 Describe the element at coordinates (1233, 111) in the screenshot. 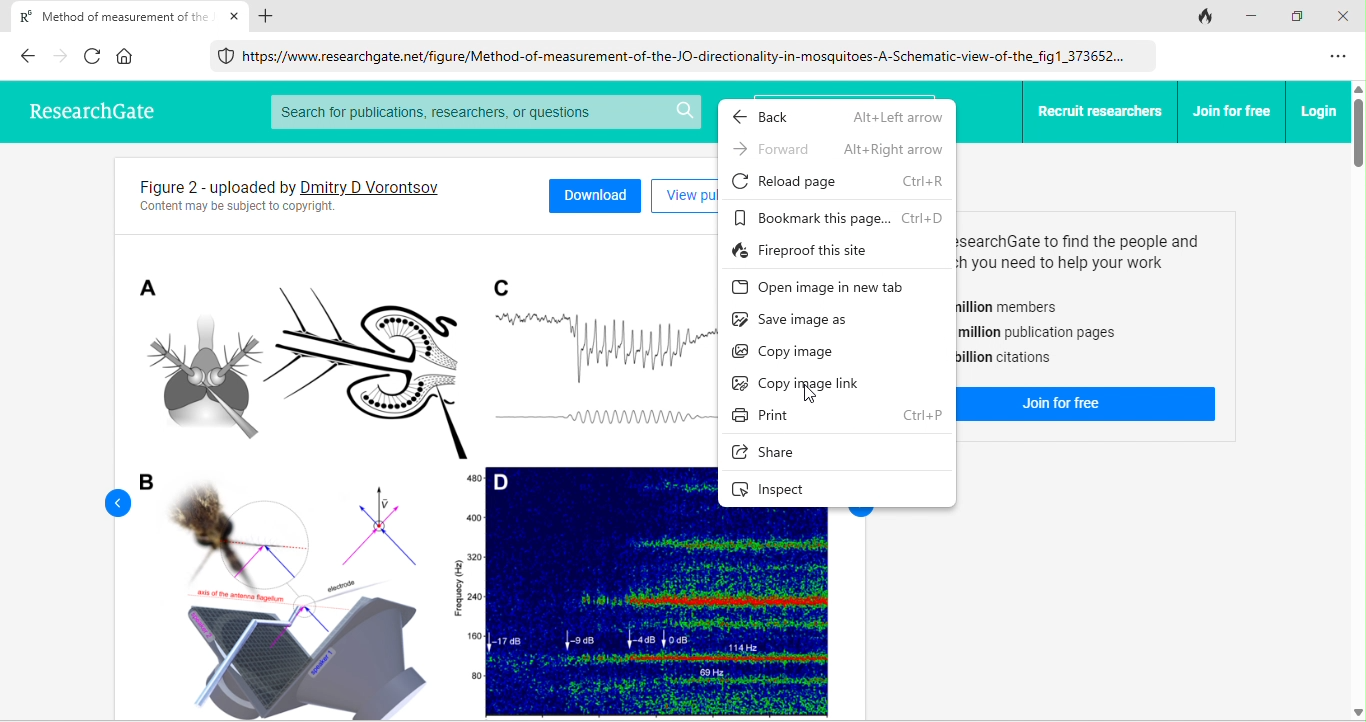

I see `join for free` at that location.